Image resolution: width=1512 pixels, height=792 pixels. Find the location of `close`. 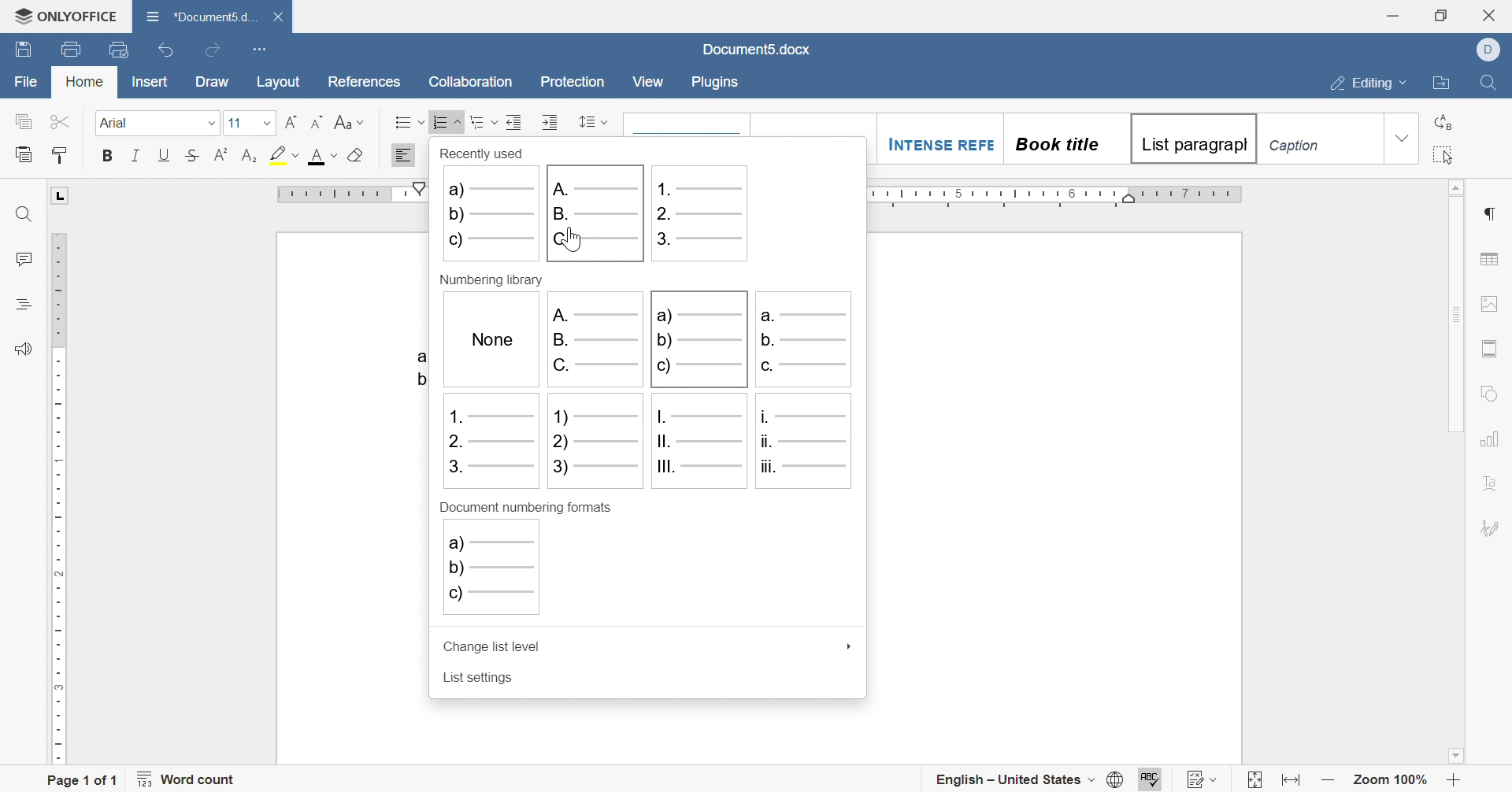

close is located at coordinates (1488, 15).